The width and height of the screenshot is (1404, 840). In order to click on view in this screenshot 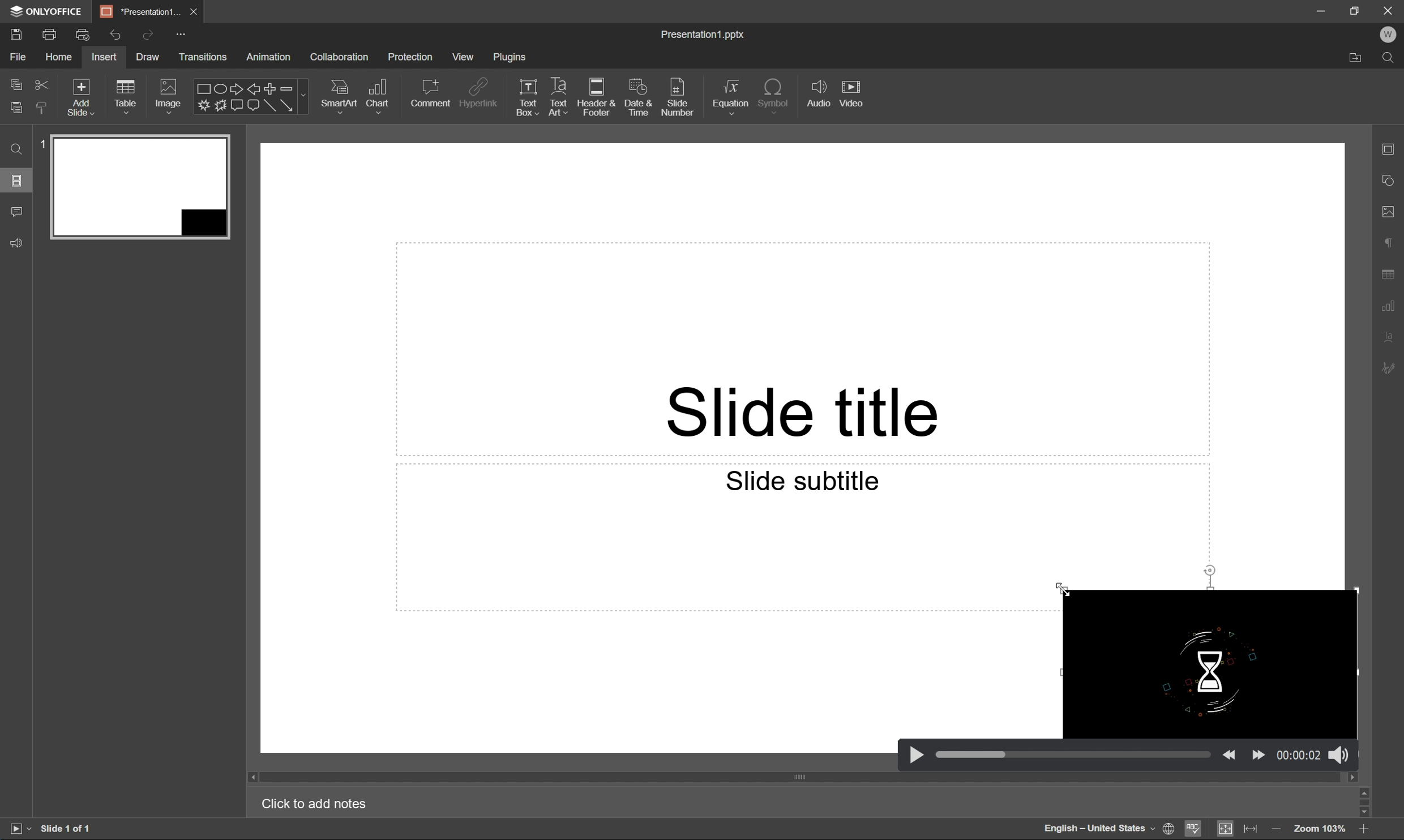, I will do `click(467, 56)`.